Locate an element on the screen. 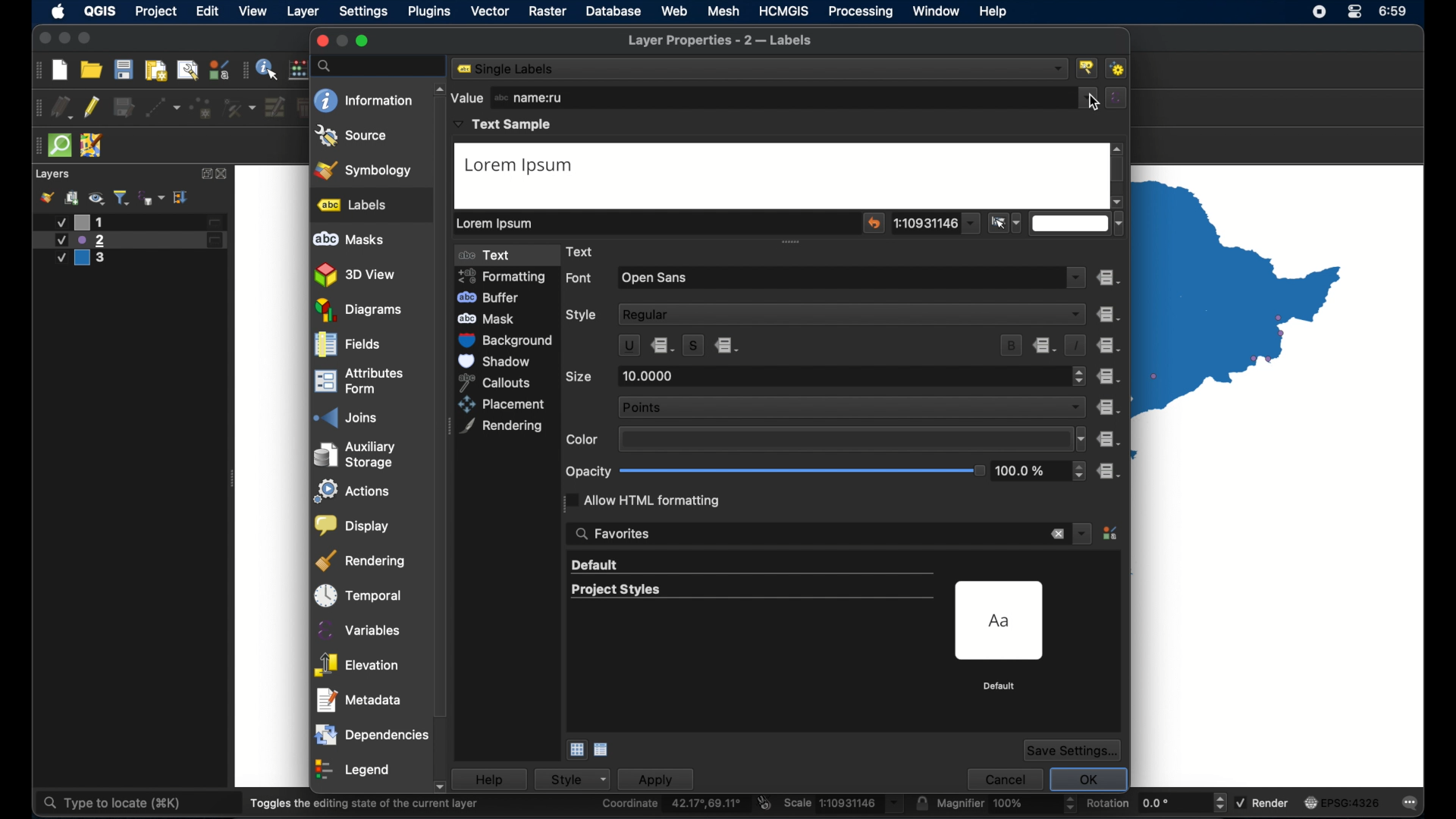 Image resolution: width=1456 pixels, height=819 pixels. help is located at coordinates (994, 11).